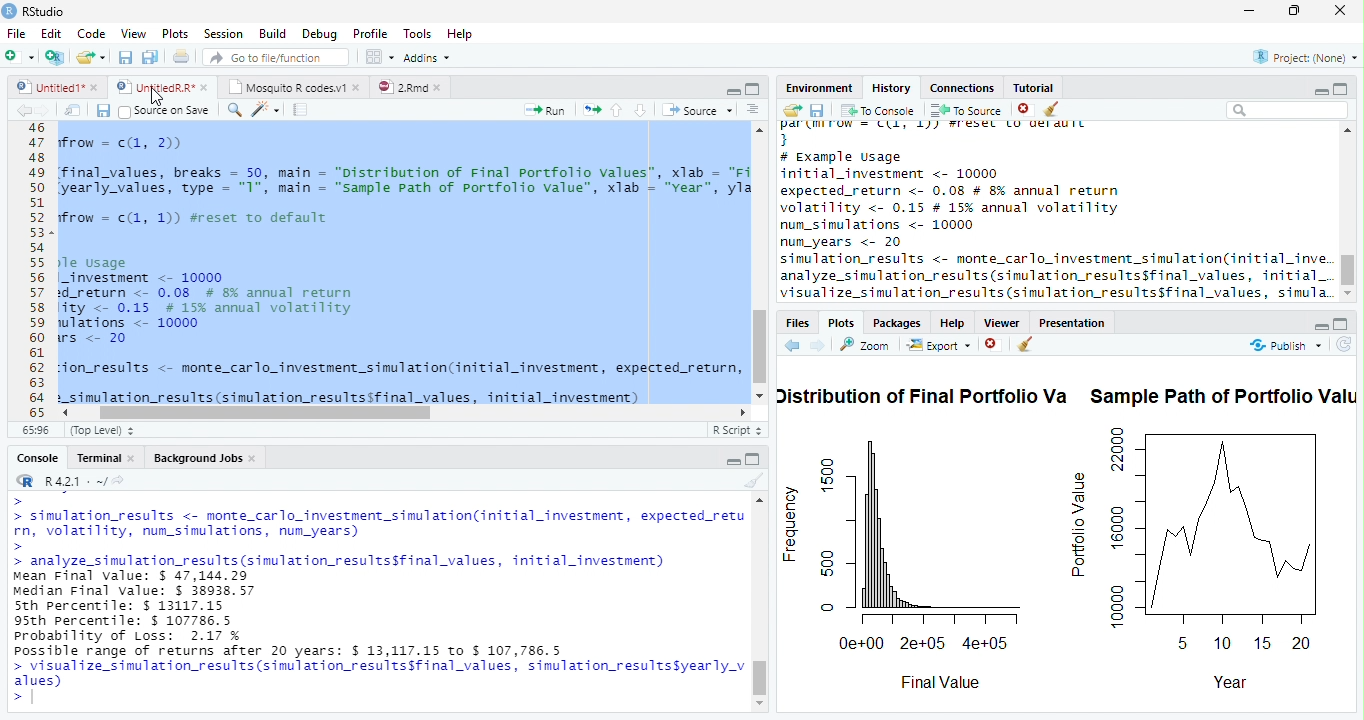  Describe the element at coordinates (35, 270) in the screenshot. I see `Line Numbers` at that location.